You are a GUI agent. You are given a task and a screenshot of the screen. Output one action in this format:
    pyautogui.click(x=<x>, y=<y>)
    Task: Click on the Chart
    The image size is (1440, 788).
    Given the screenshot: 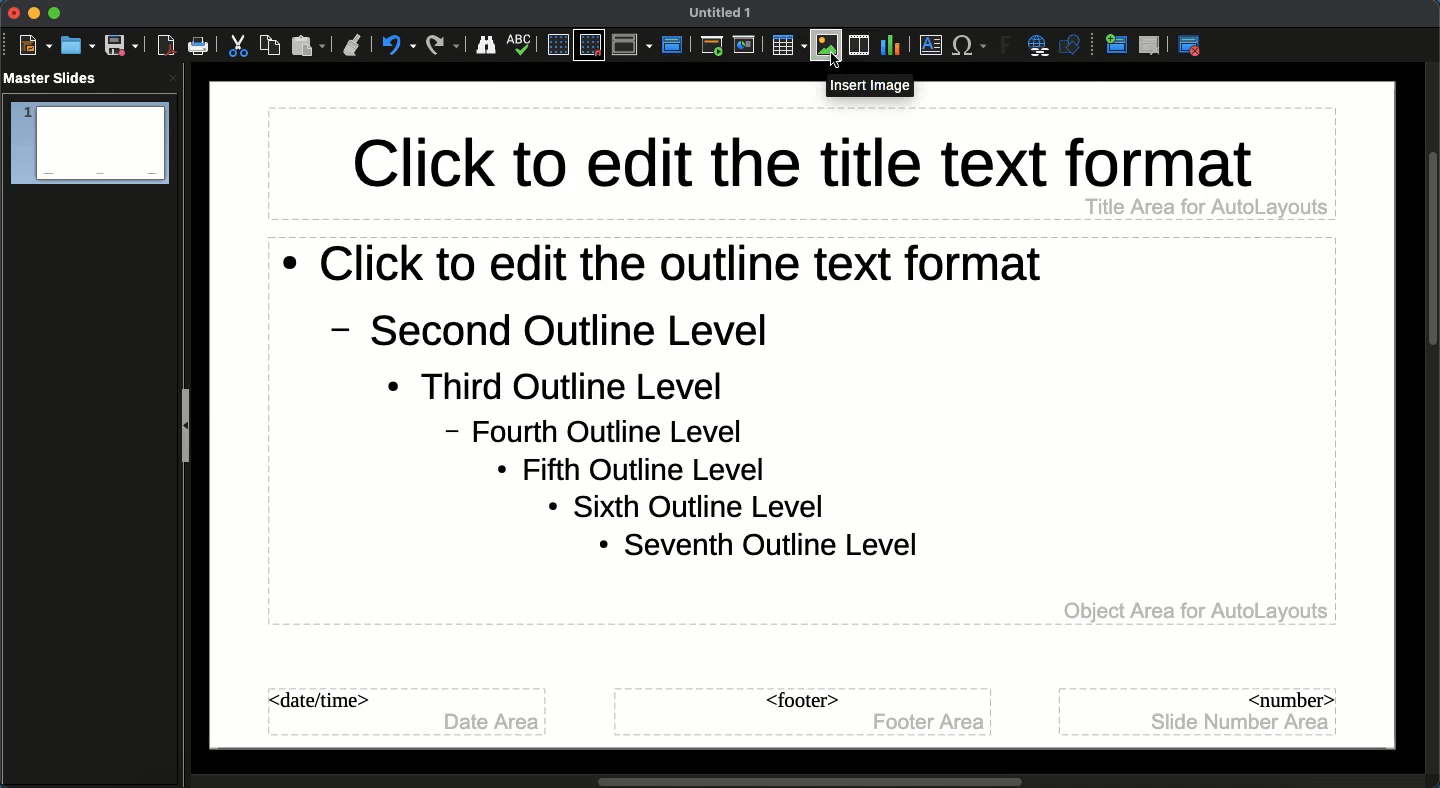 What is the action you would take?
    pyautogui.click(x=888, y=47)
    